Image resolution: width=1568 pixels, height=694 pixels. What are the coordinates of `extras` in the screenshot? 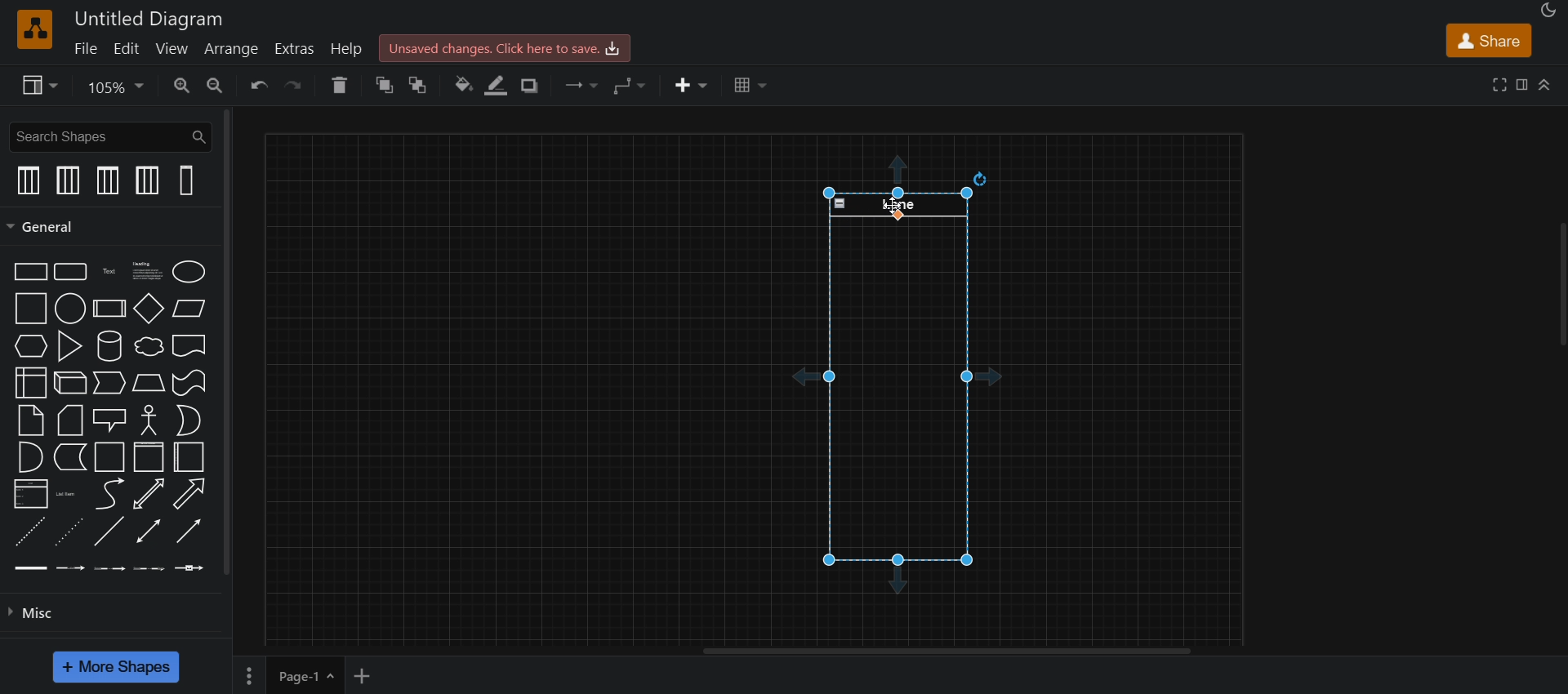 It's located at (299, 47).